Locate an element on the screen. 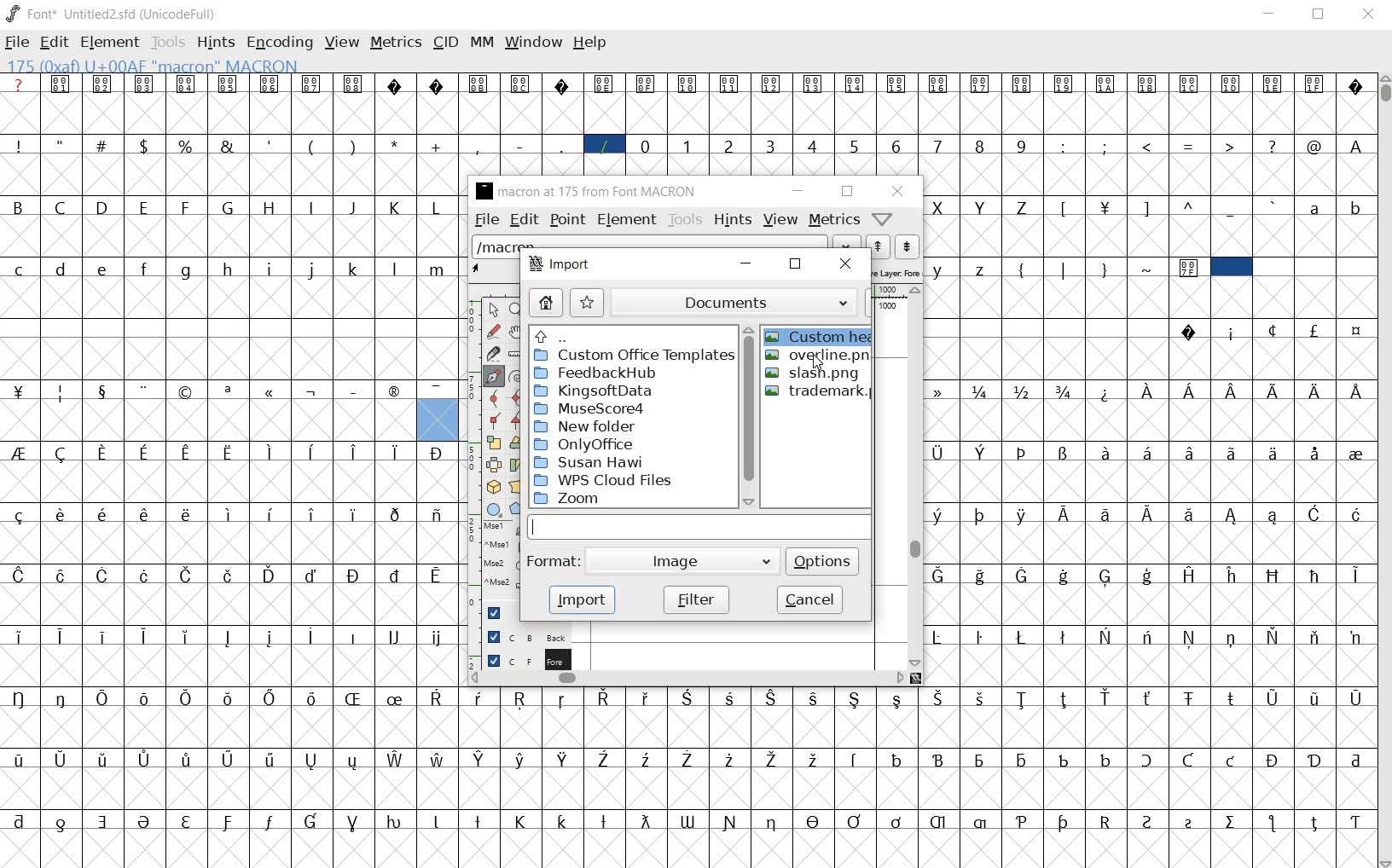 Image resolution: width=1392 pixels, height=868 pixels. Symbol is located at coordinates (353, 819).